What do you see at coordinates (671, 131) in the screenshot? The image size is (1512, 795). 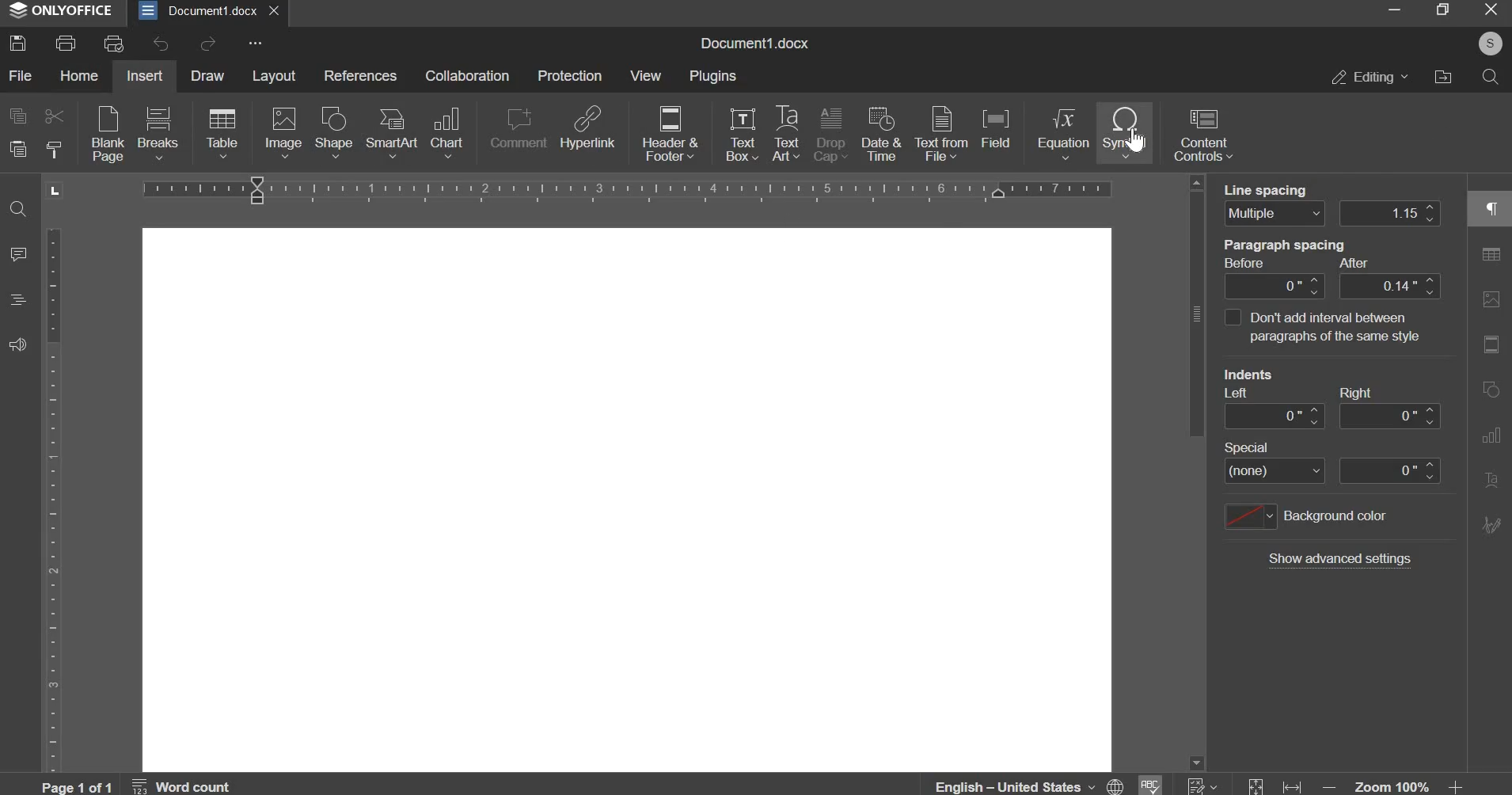 I see `header & footer` at bounding box center [671, 131].